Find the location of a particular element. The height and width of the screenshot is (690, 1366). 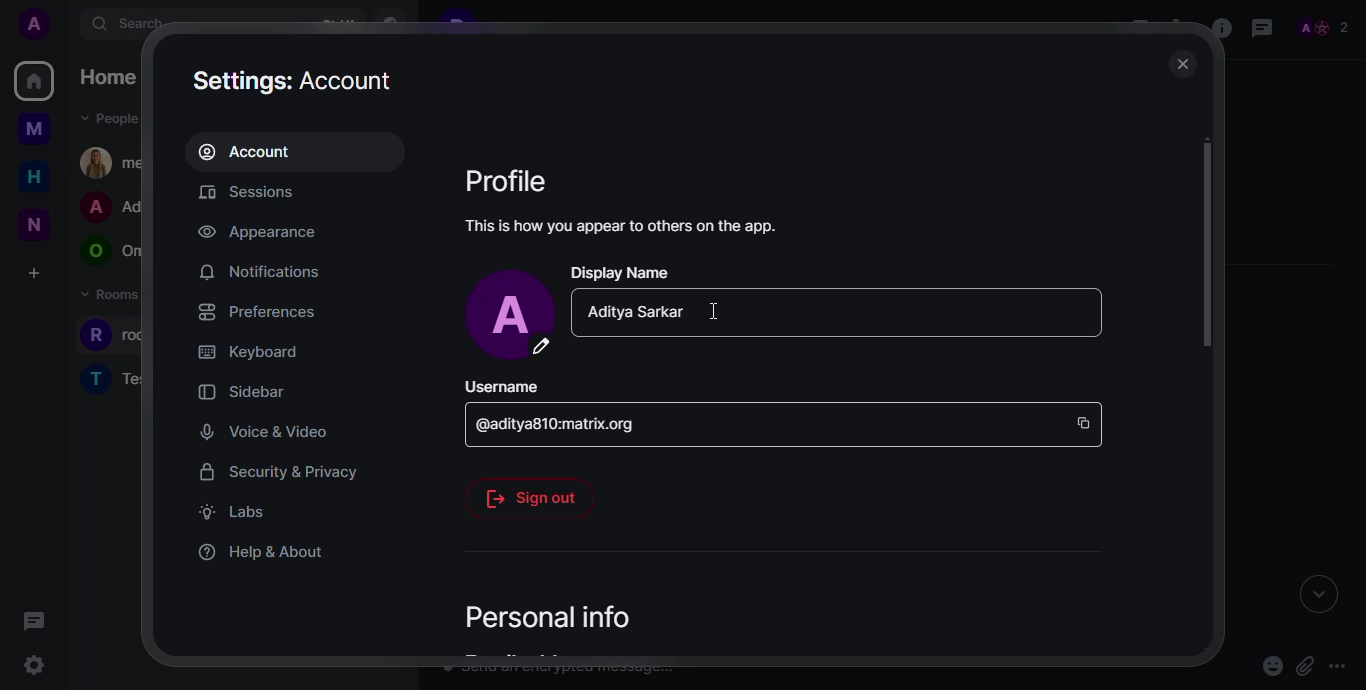

info is located at coordinates (624, 225).